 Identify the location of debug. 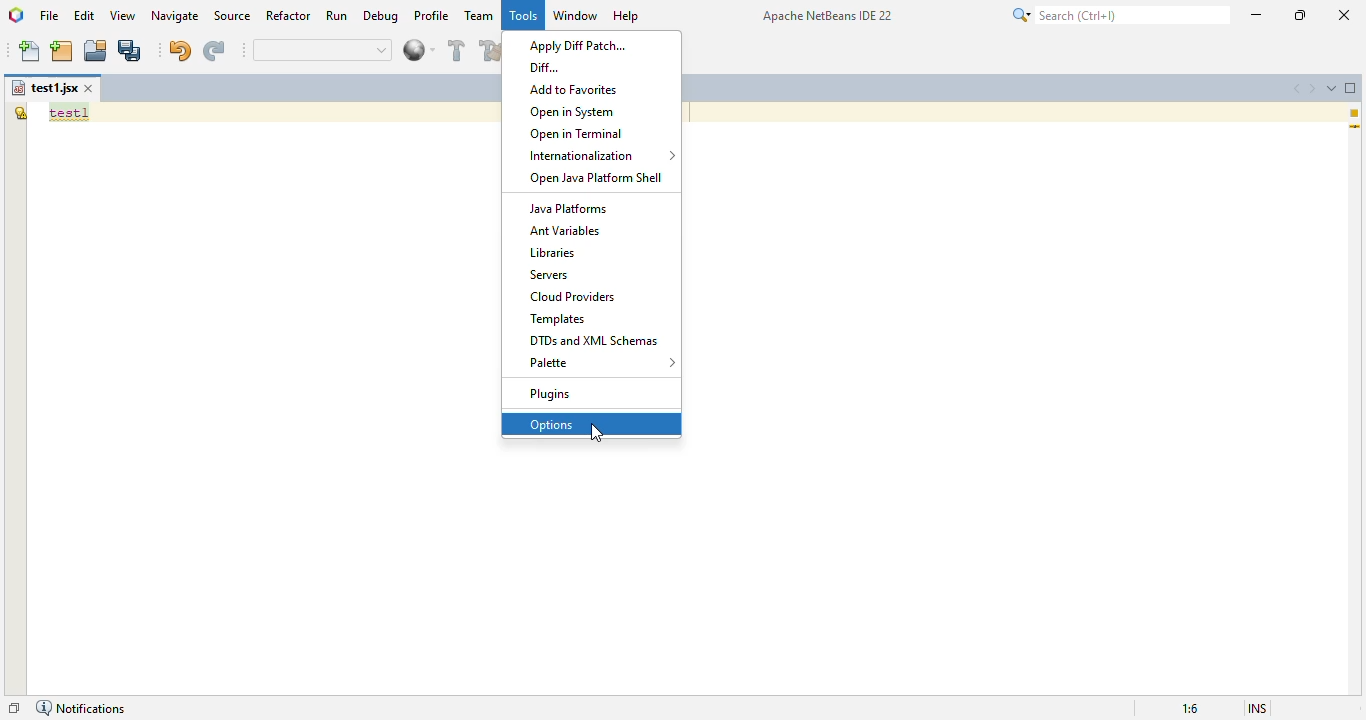
(382, 16).